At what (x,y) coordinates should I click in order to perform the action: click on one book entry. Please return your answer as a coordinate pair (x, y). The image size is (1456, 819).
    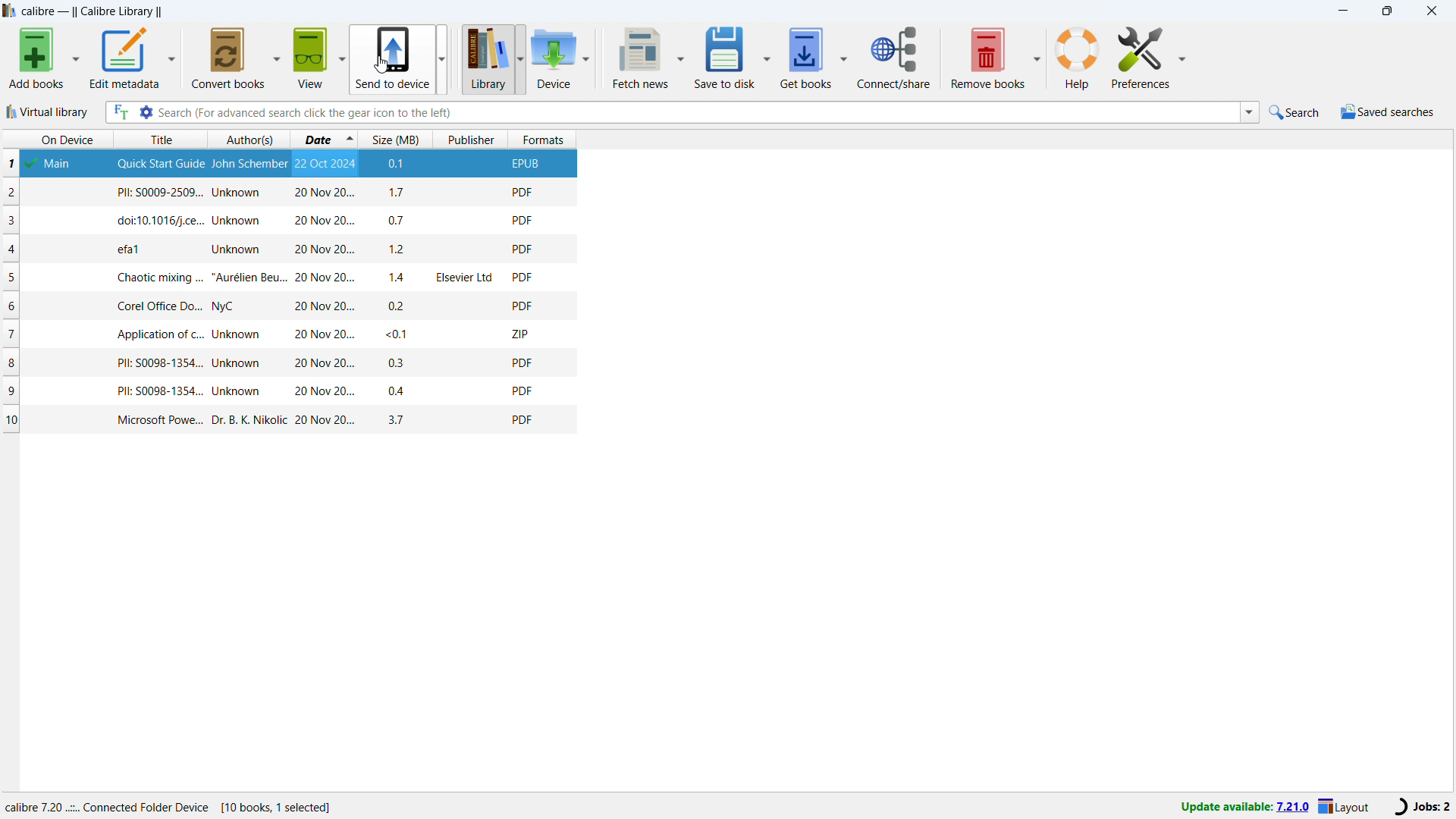
    Looking at the image, I should click on (290, 391).